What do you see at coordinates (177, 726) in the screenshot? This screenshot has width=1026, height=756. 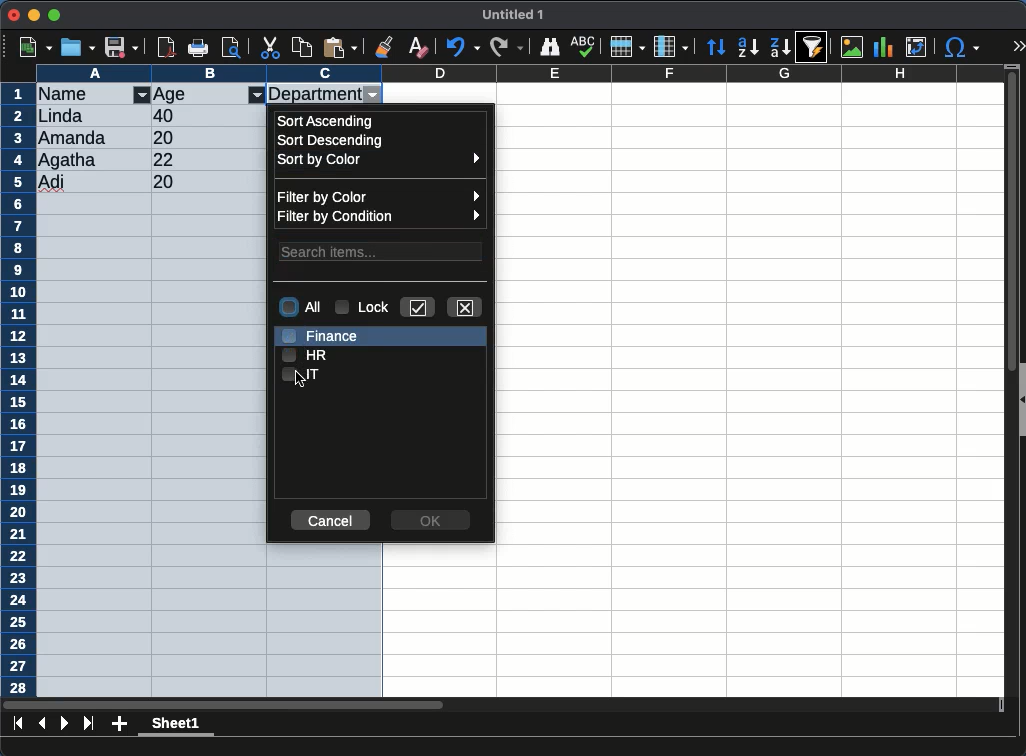 I see `sheet 1` at bounding box center [177, 726].